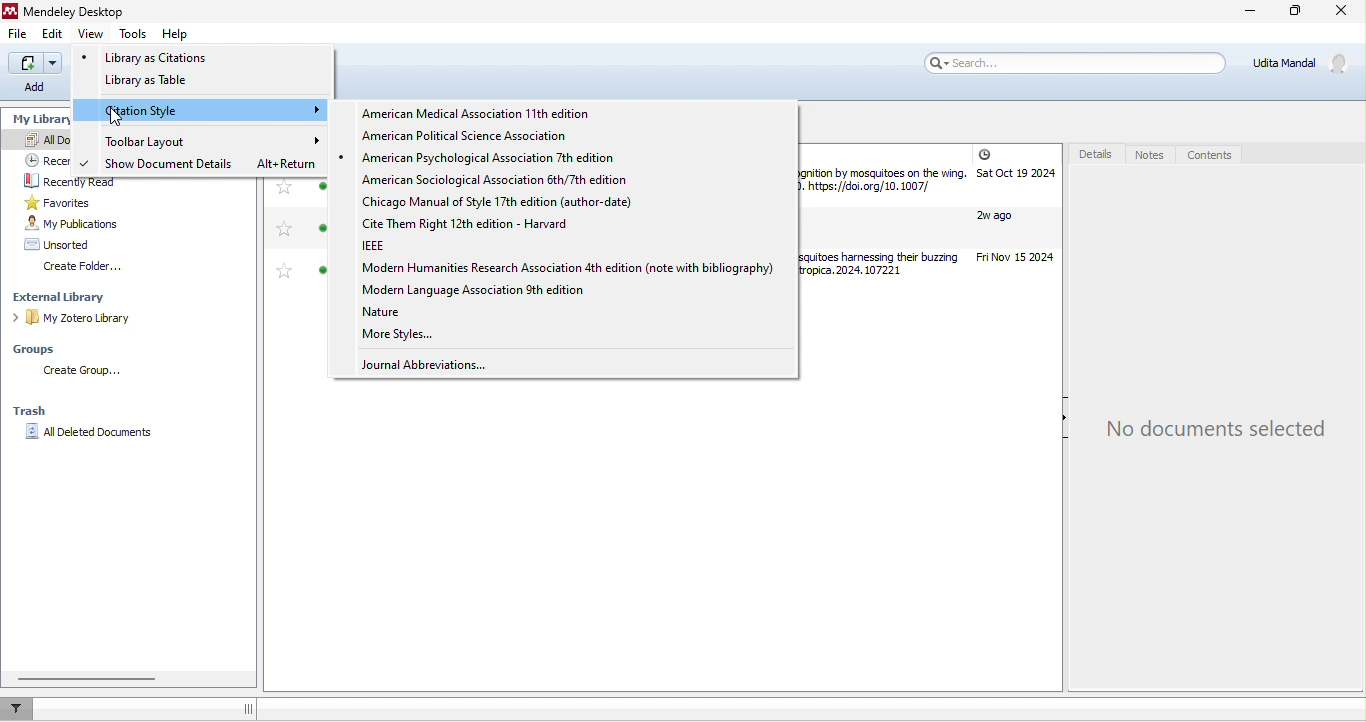 The height and width of the screenshot is (722, 1366). Describe the element at coordinates (480, 112) in the screenshot. I see `American Medical Association 11th edition` at that location.